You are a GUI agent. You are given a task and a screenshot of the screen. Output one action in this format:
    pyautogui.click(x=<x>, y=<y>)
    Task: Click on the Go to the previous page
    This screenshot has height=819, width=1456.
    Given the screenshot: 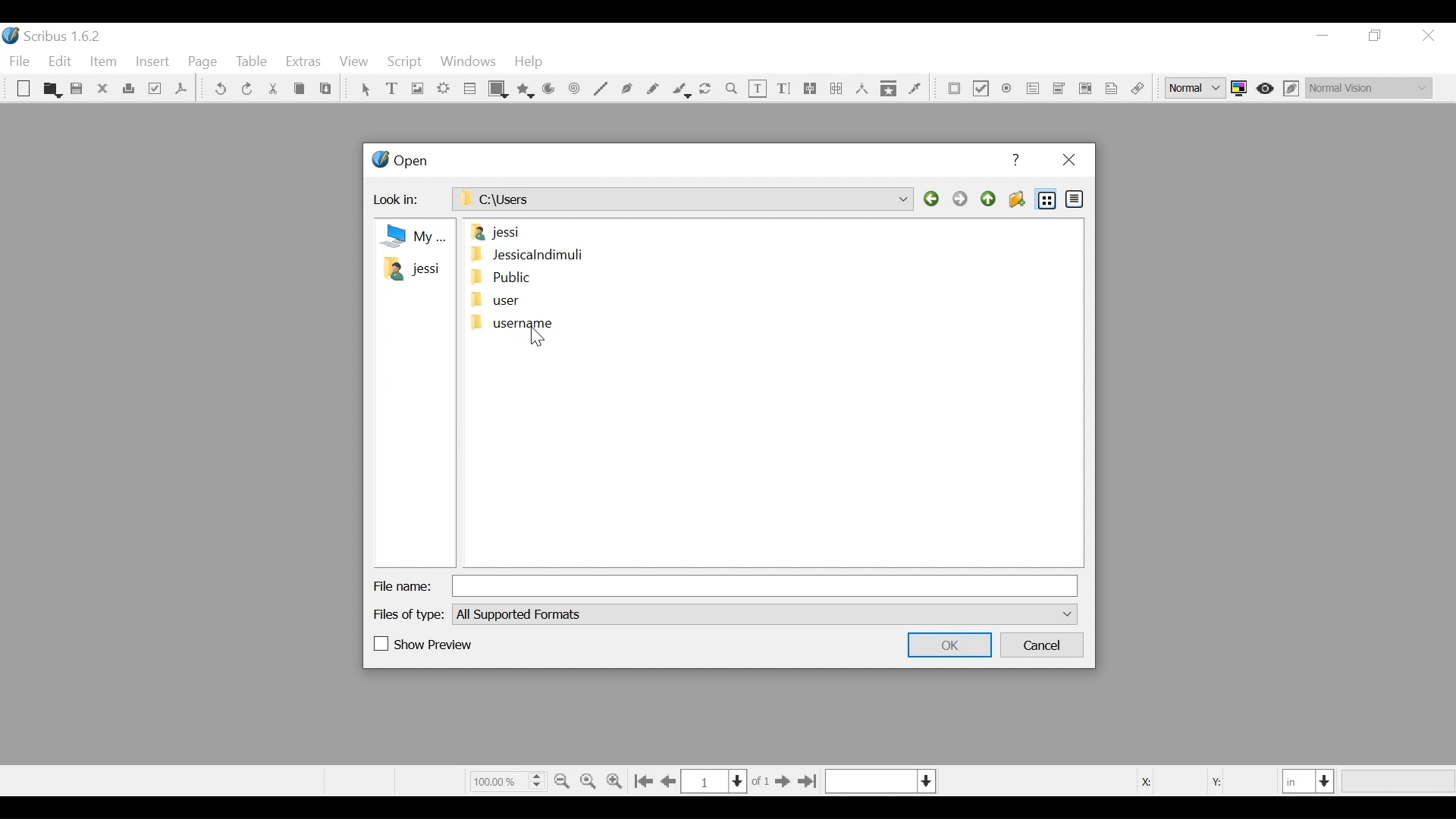 What is the action you would take?
    pyautogui.click(x=671, y=782)
    